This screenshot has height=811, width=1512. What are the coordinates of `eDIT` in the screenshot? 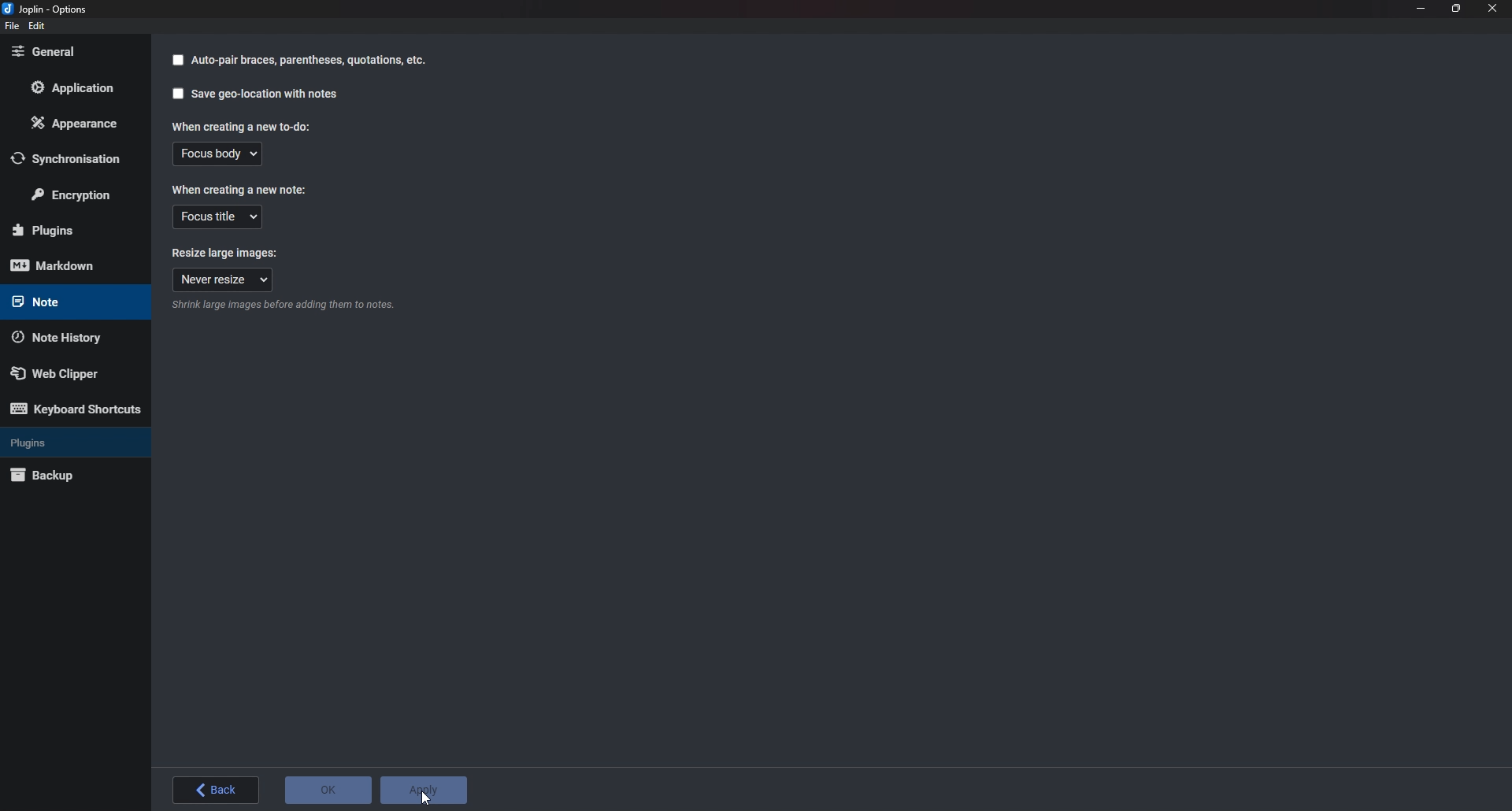 It's located at (36, 25).